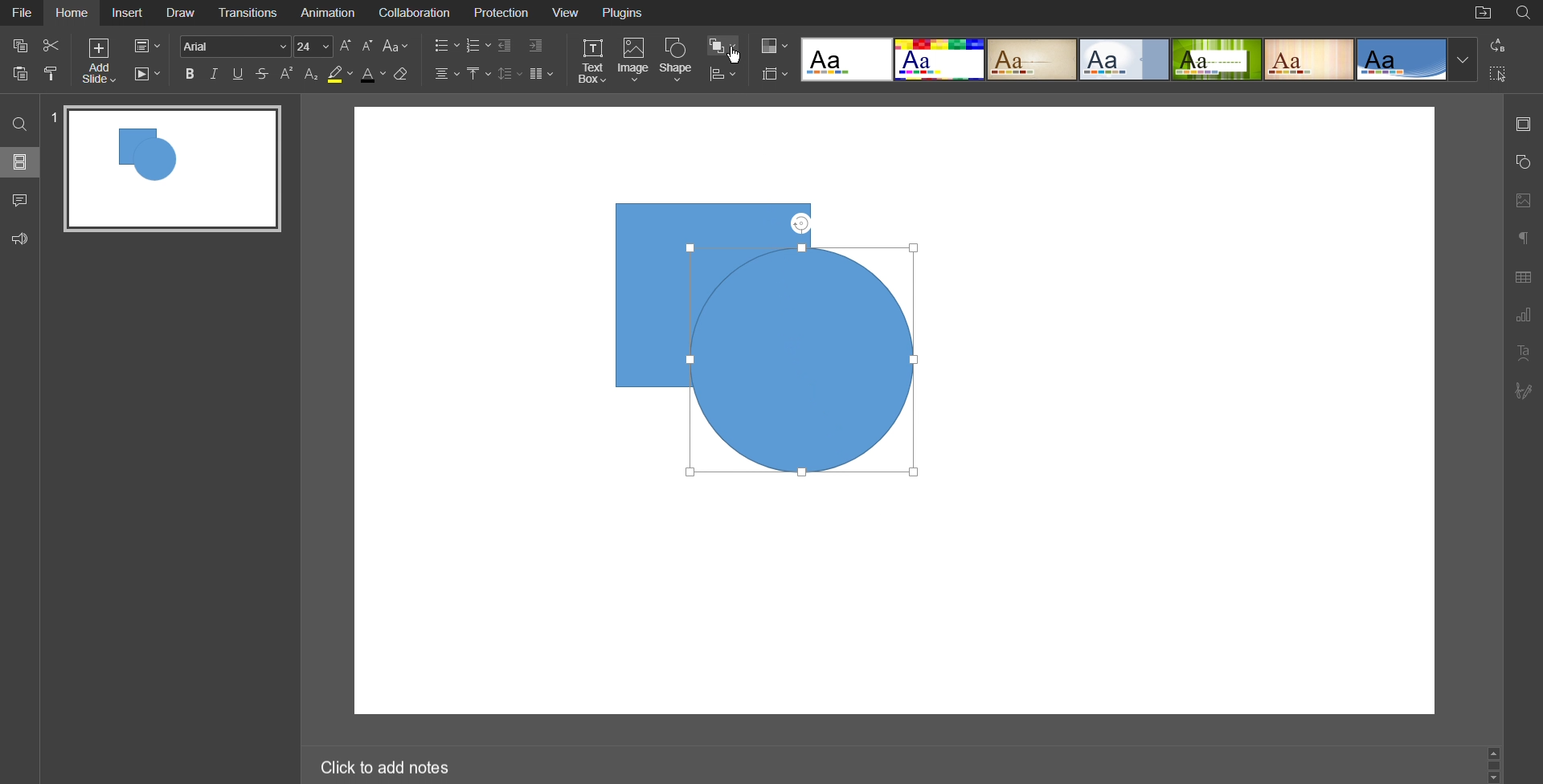 The width and height of the screenshot is (1543, 784). I want to click on Font Case, so click(398, 46).